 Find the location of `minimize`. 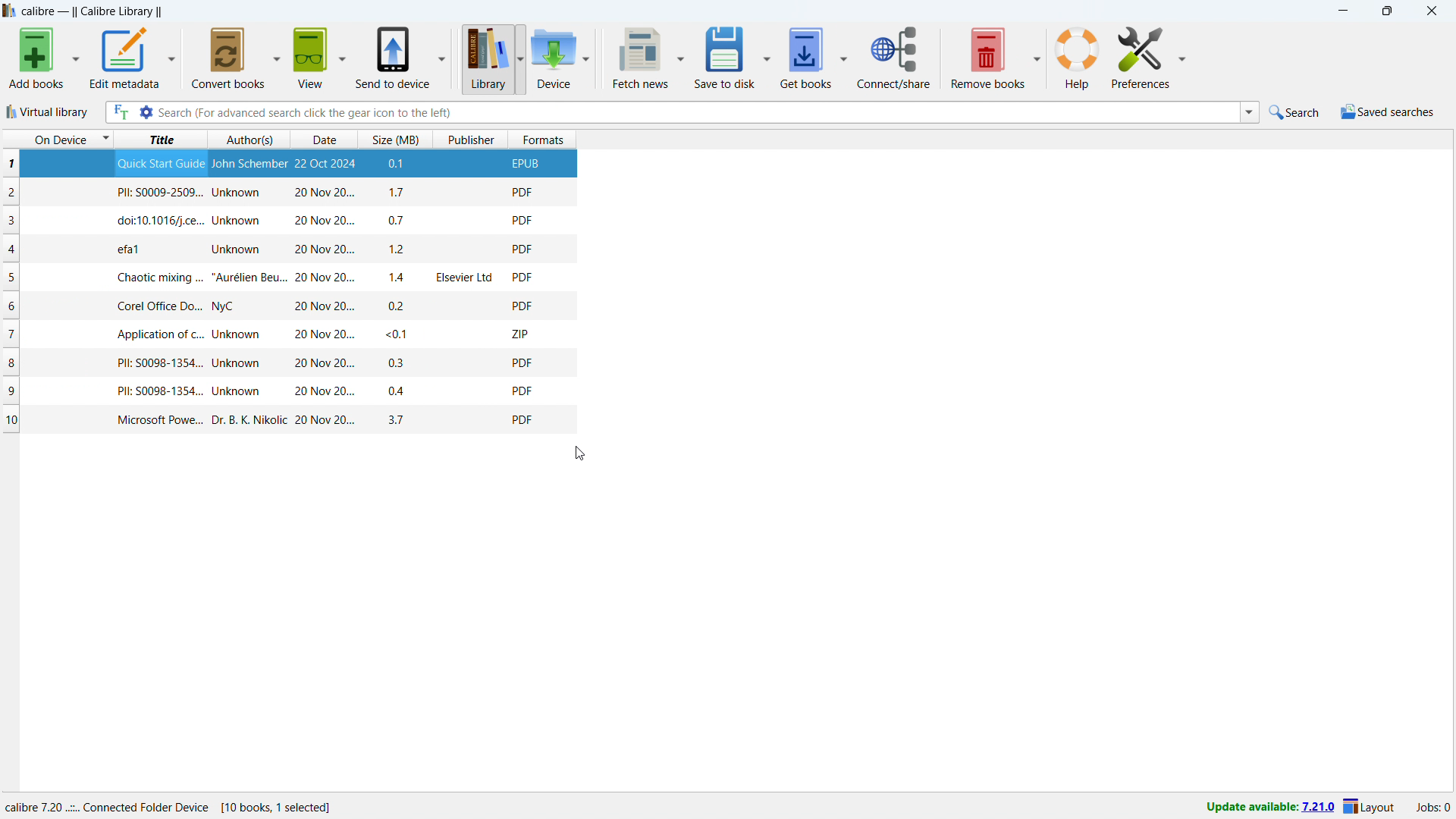

minimize is located at coordinates (1342, 11).